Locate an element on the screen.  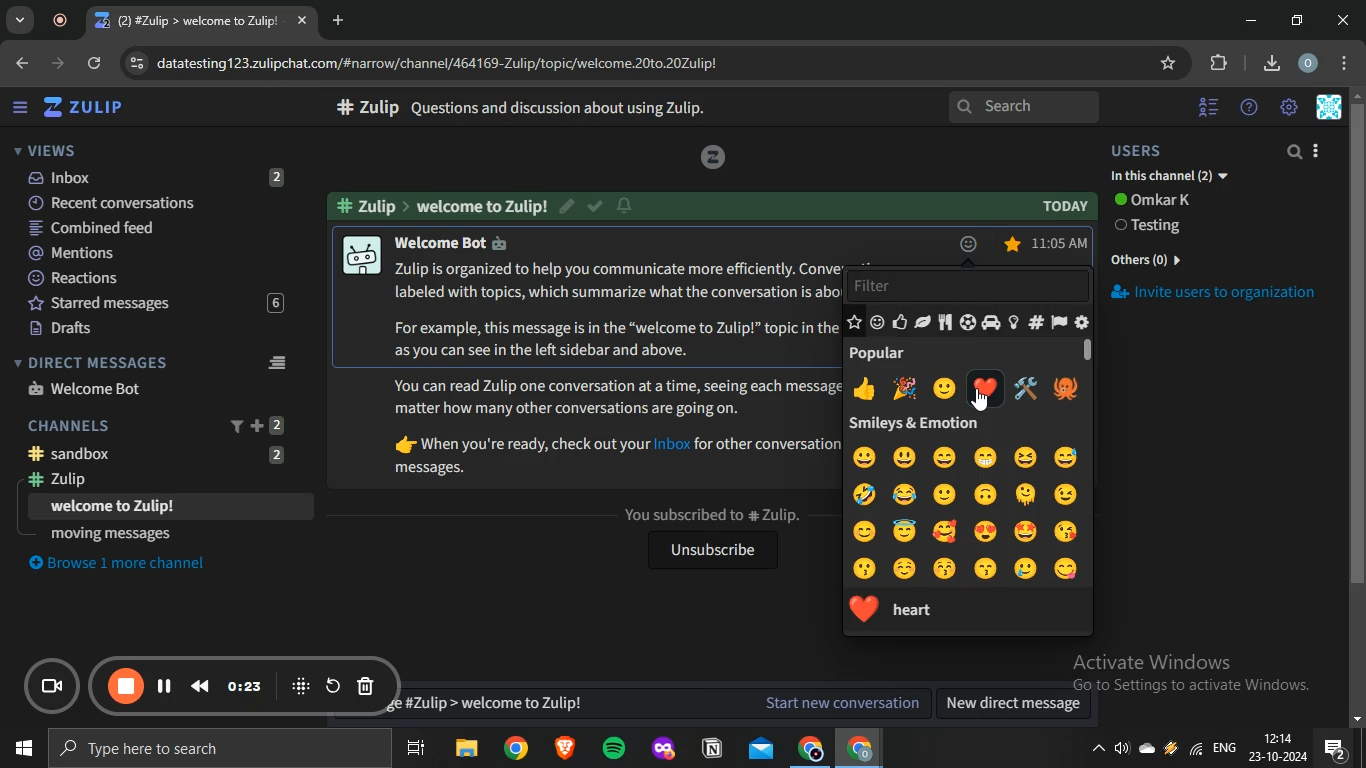
upside down is located at coordinates (987, 494).